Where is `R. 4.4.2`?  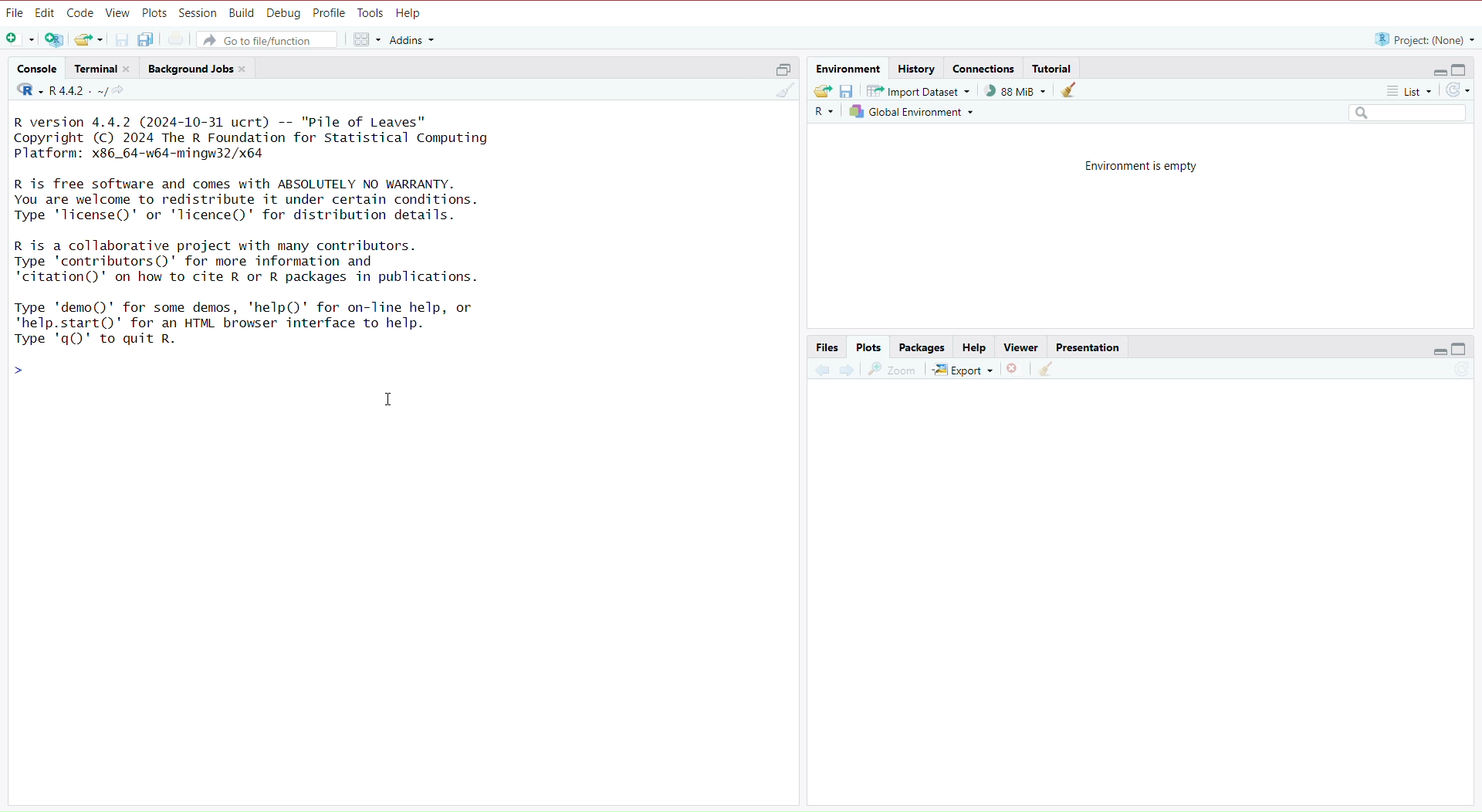 R. 4.4.2 is located at coordinates (59, 91).